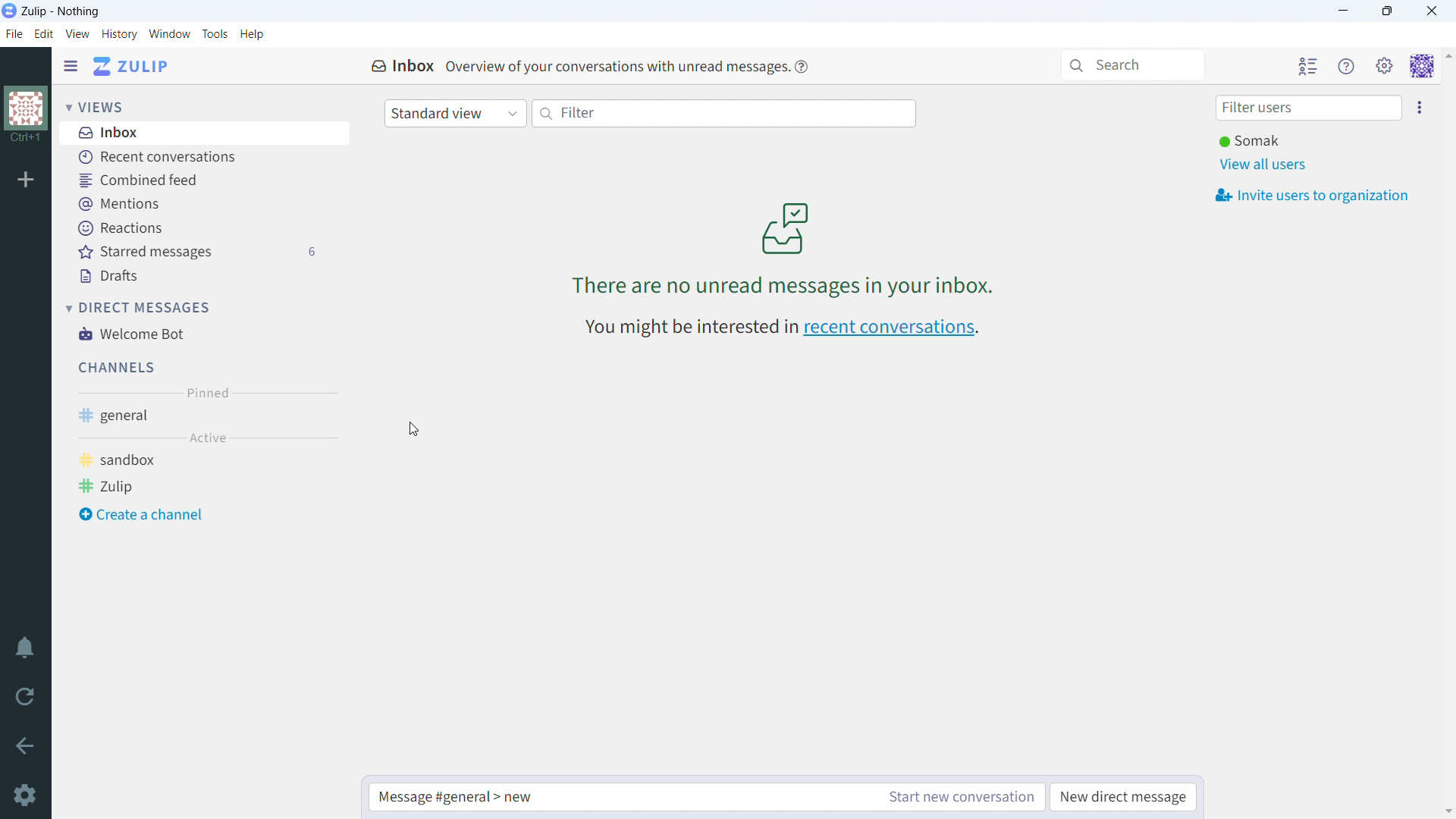  I want to click on drafts, so click(196, 277).